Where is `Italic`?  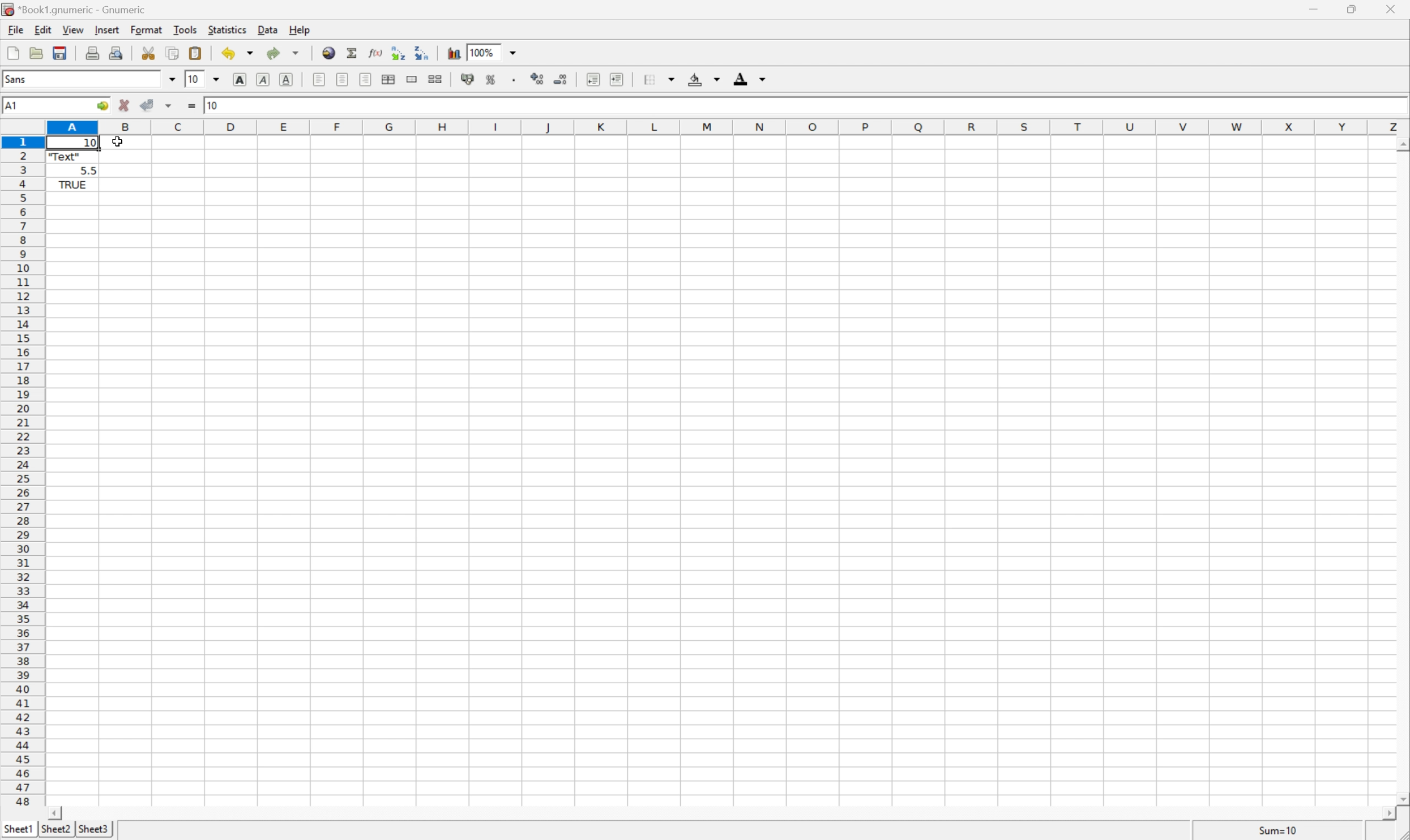 Italic is located at coordinates (262, 80).